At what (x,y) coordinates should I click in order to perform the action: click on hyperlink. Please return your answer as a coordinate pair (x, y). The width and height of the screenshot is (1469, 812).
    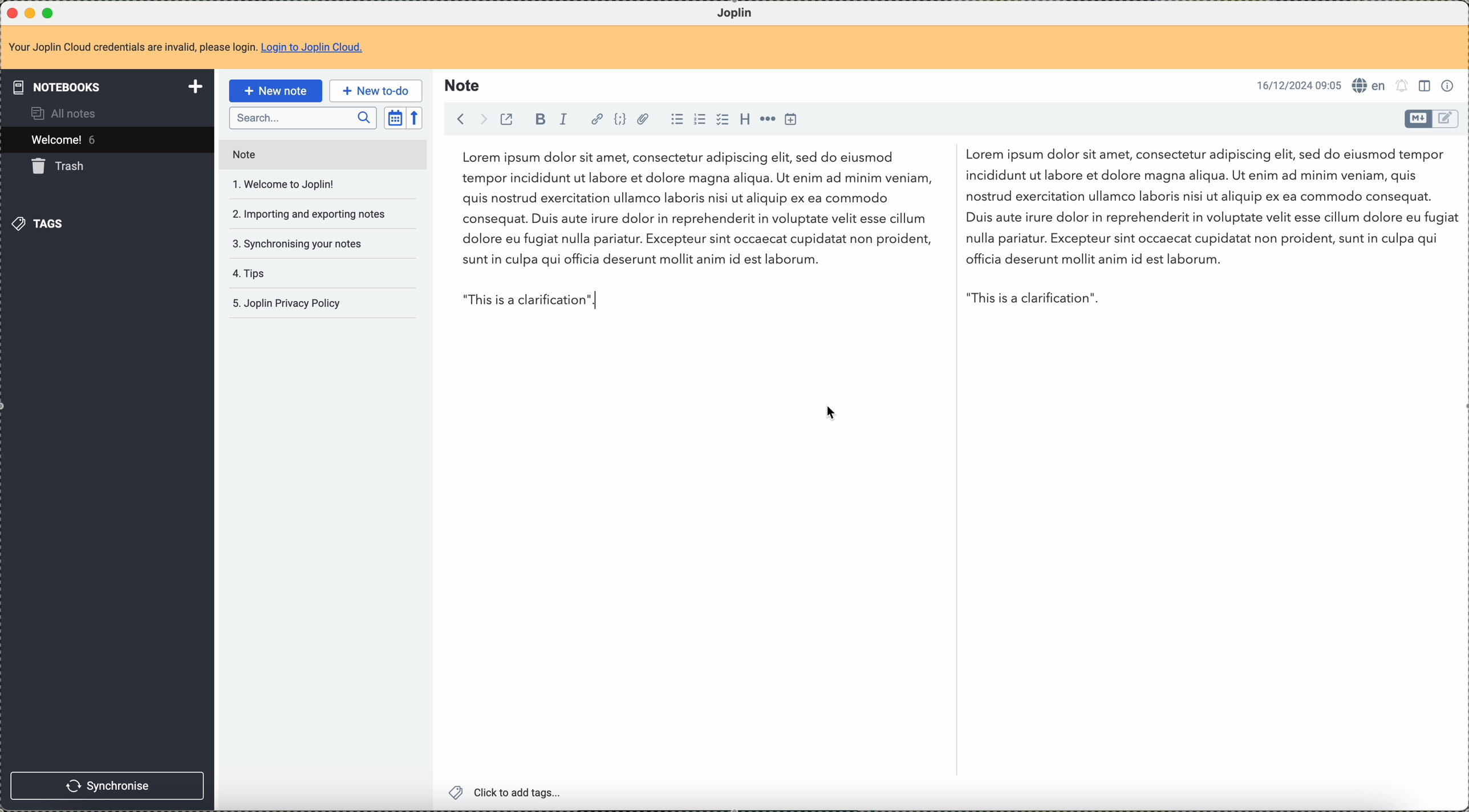
    Looking at the image, I should click on (596, 119).